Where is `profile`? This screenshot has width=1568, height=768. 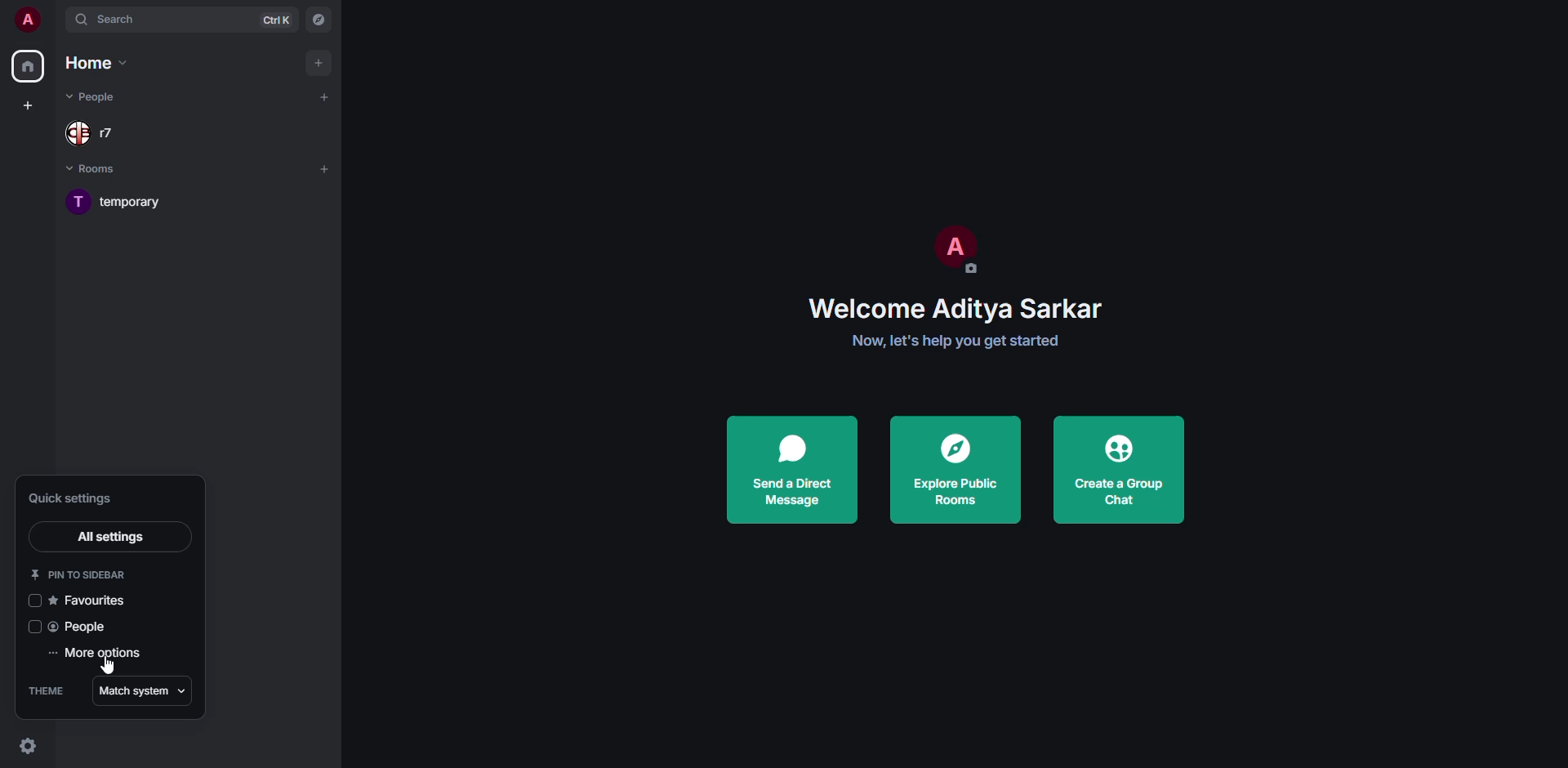 profile is located at coordinates (27, 20).